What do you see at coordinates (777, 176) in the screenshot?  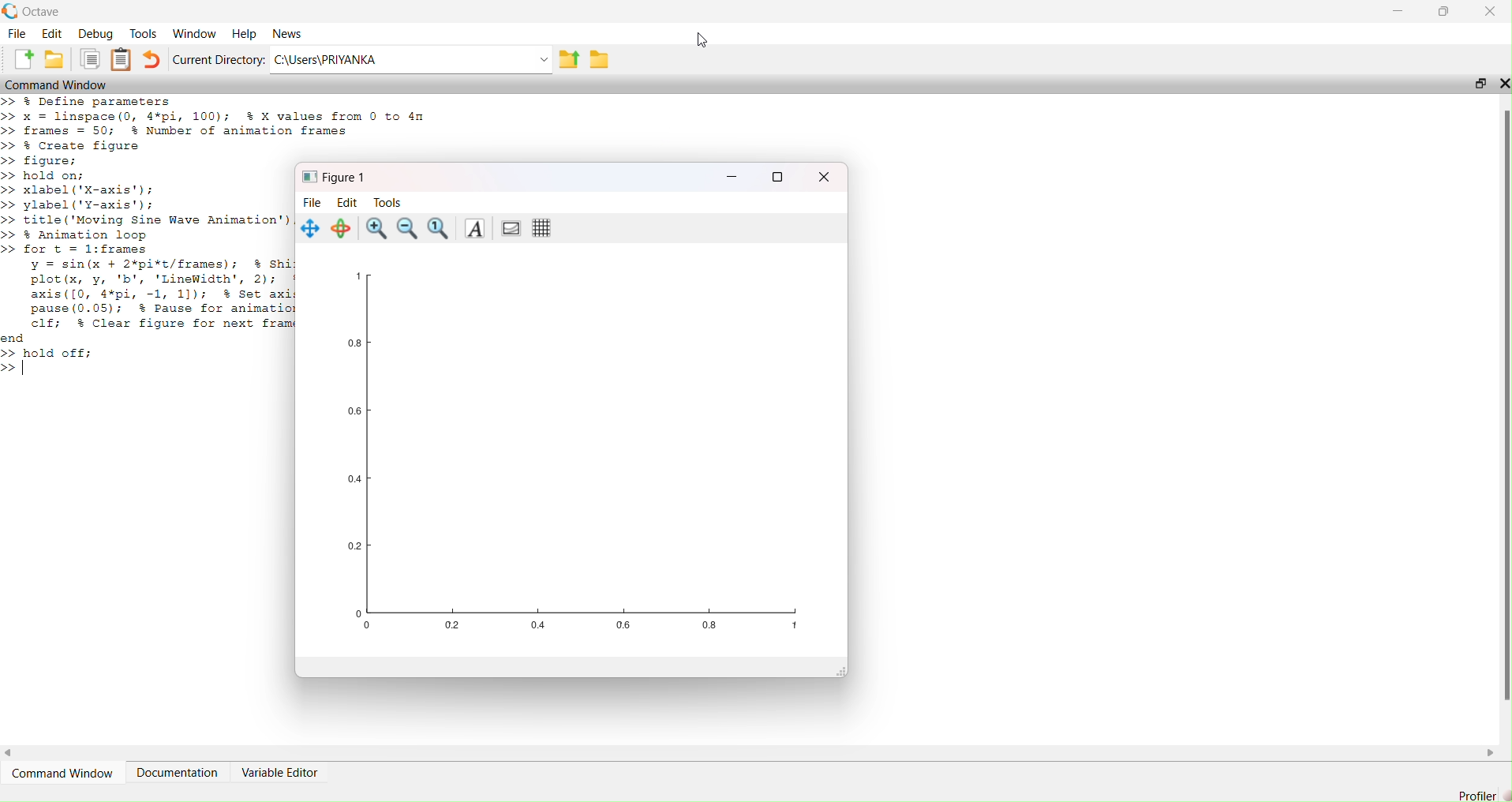 I see `maximise` at bounding box center [777, 176].